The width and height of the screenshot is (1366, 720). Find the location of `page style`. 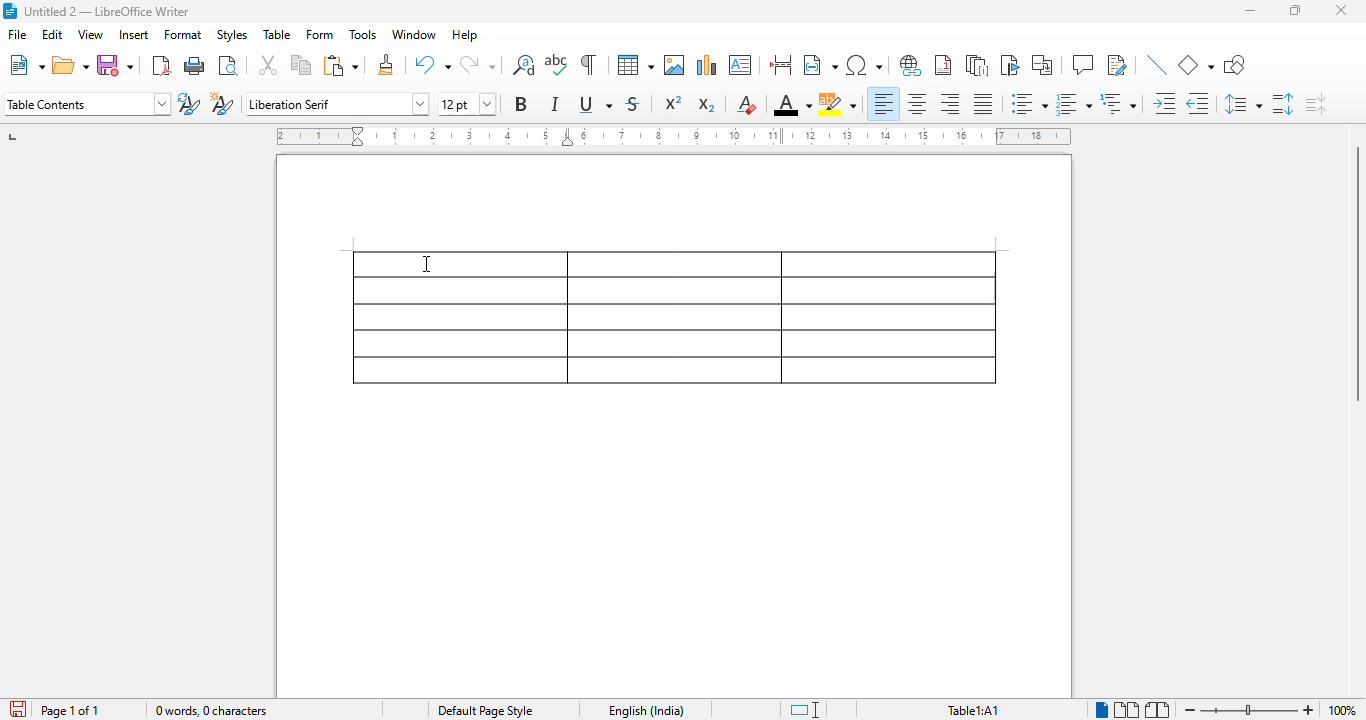

page style is located at coordinates (486, 710).